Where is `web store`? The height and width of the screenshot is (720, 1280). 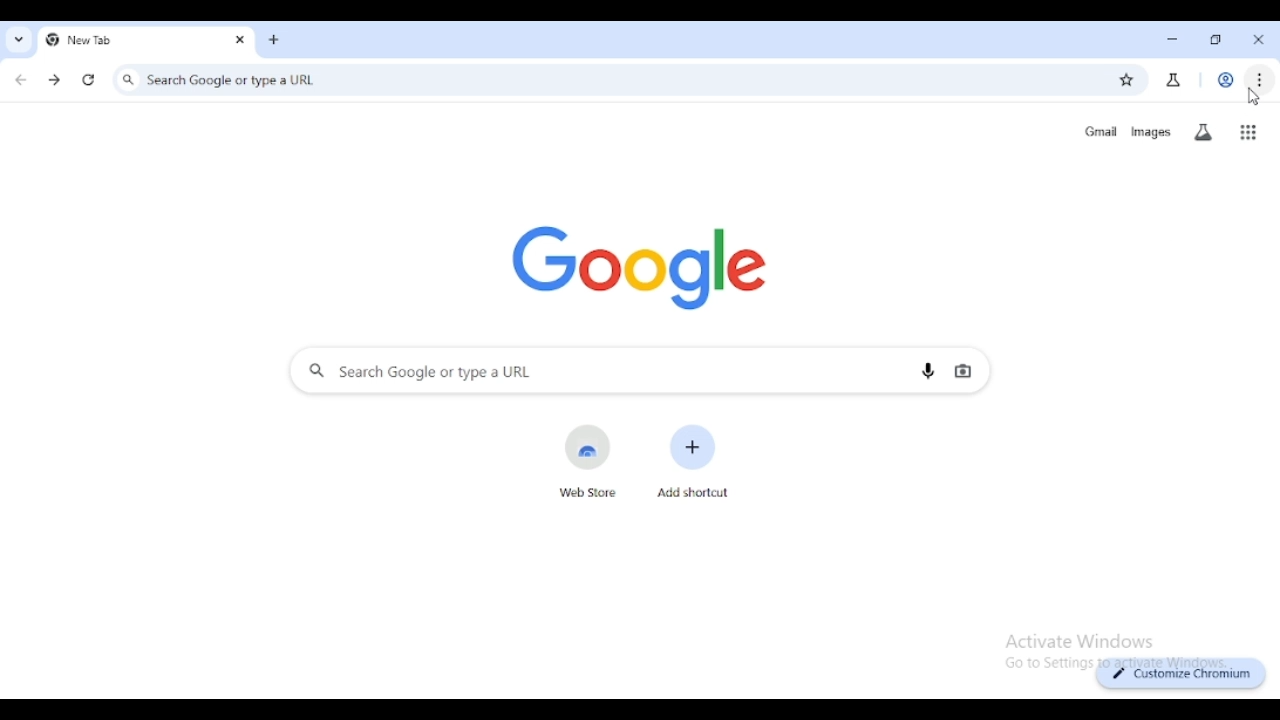
web store is located at coordinates (589, 461).